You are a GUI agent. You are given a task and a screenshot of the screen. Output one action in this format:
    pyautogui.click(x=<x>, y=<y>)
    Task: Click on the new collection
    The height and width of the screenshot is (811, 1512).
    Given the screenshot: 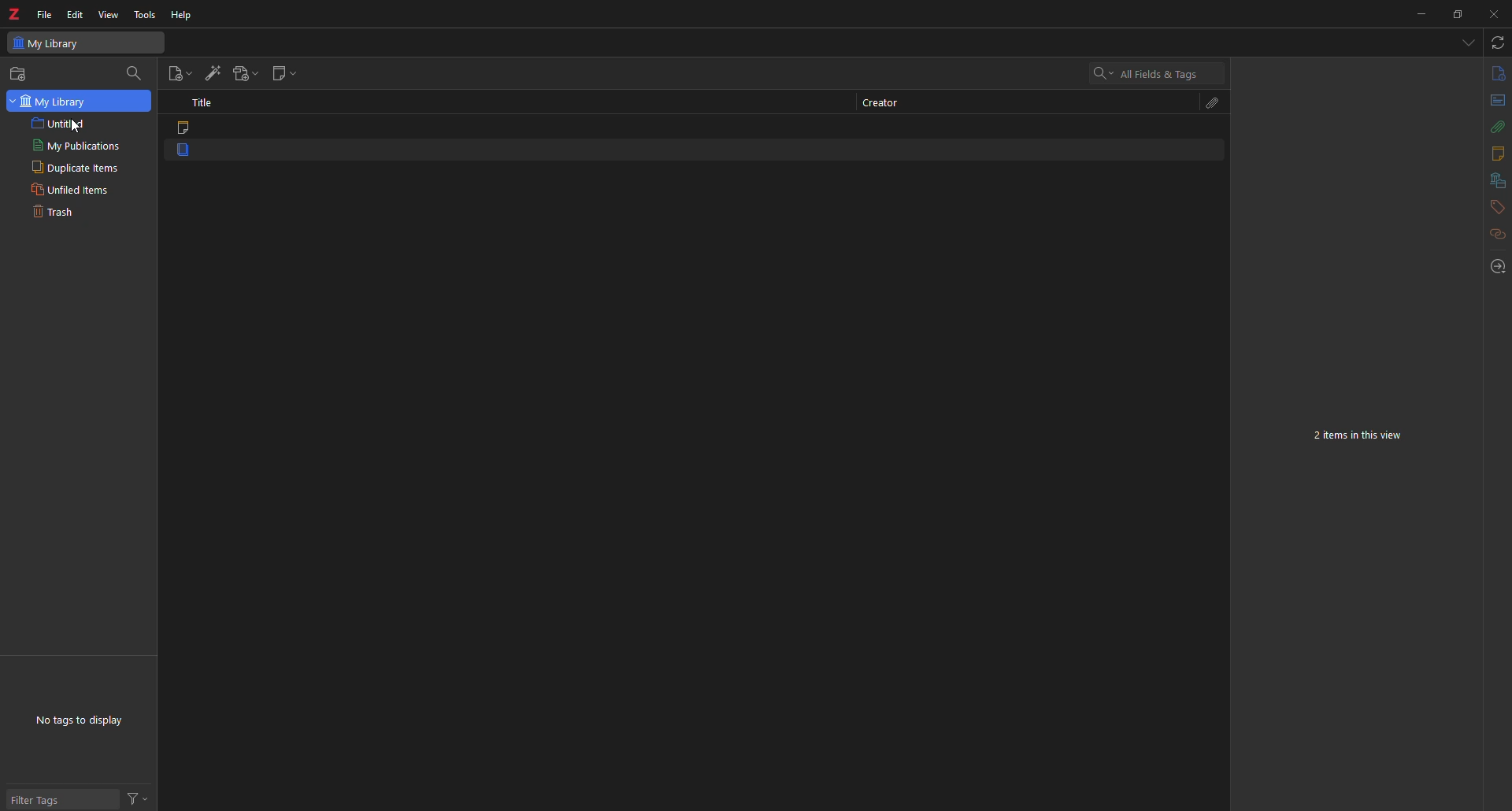 What is the action you would take?
    pyautogui.click(x=17, y=73)
    